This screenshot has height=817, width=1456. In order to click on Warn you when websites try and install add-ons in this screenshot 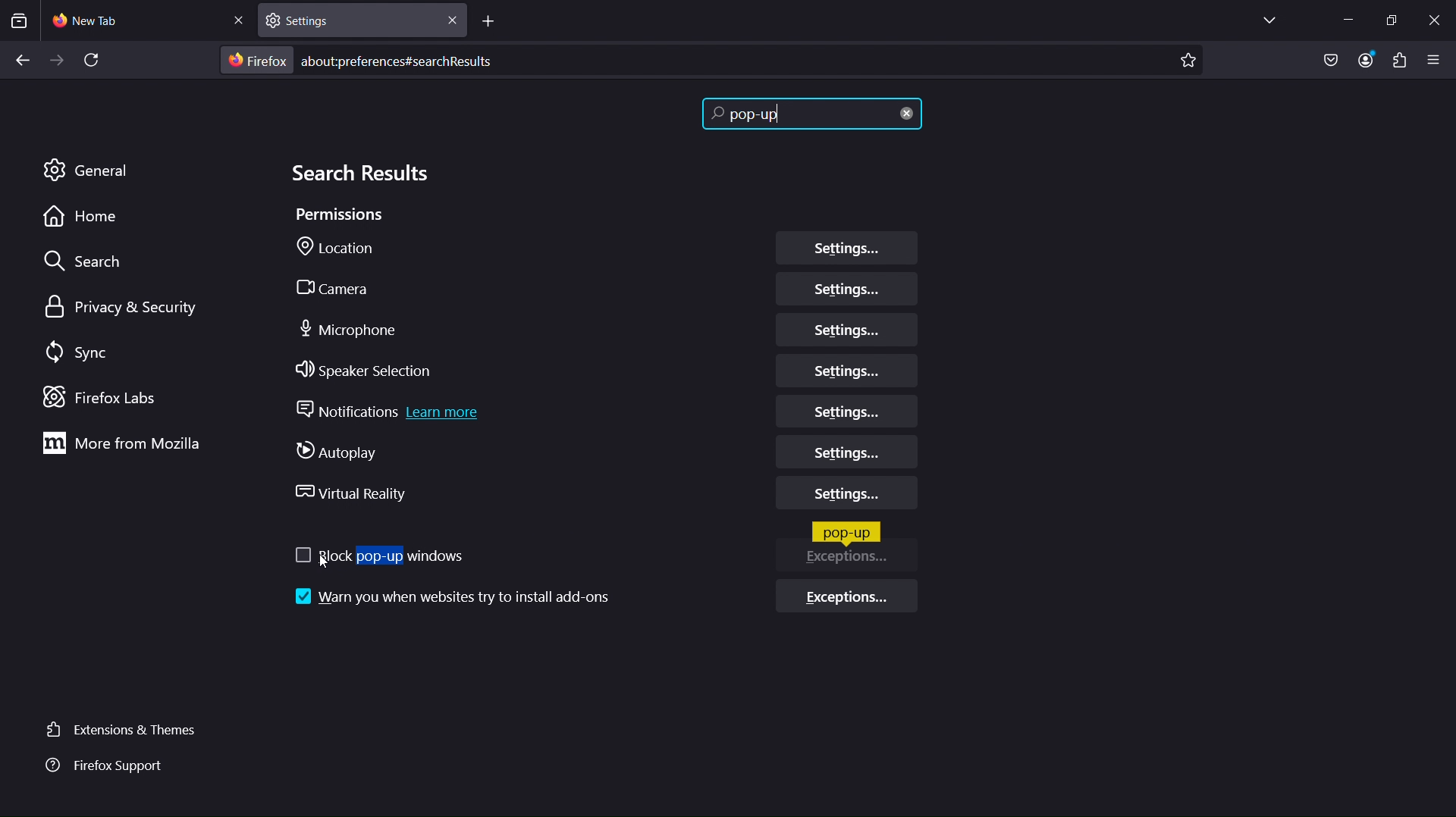, I will do `click(449, 596)`.